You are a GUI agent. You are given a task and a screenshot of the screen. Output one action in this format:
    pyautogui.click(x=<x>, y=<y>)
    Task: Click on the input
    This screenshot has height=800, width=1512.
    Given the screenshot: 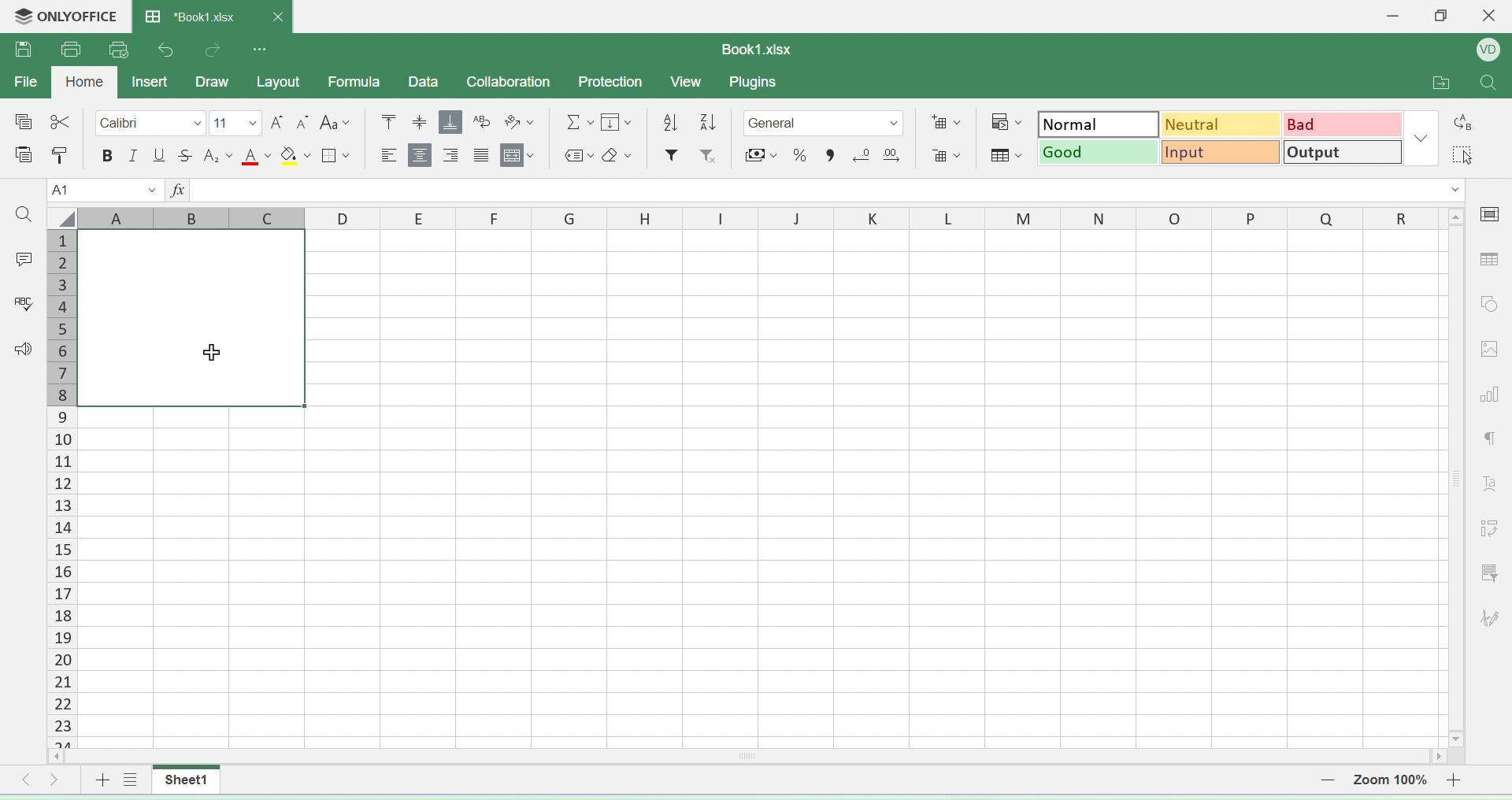 What is the action you would take?
    pyautogui.click(x=1218, y=151)
    